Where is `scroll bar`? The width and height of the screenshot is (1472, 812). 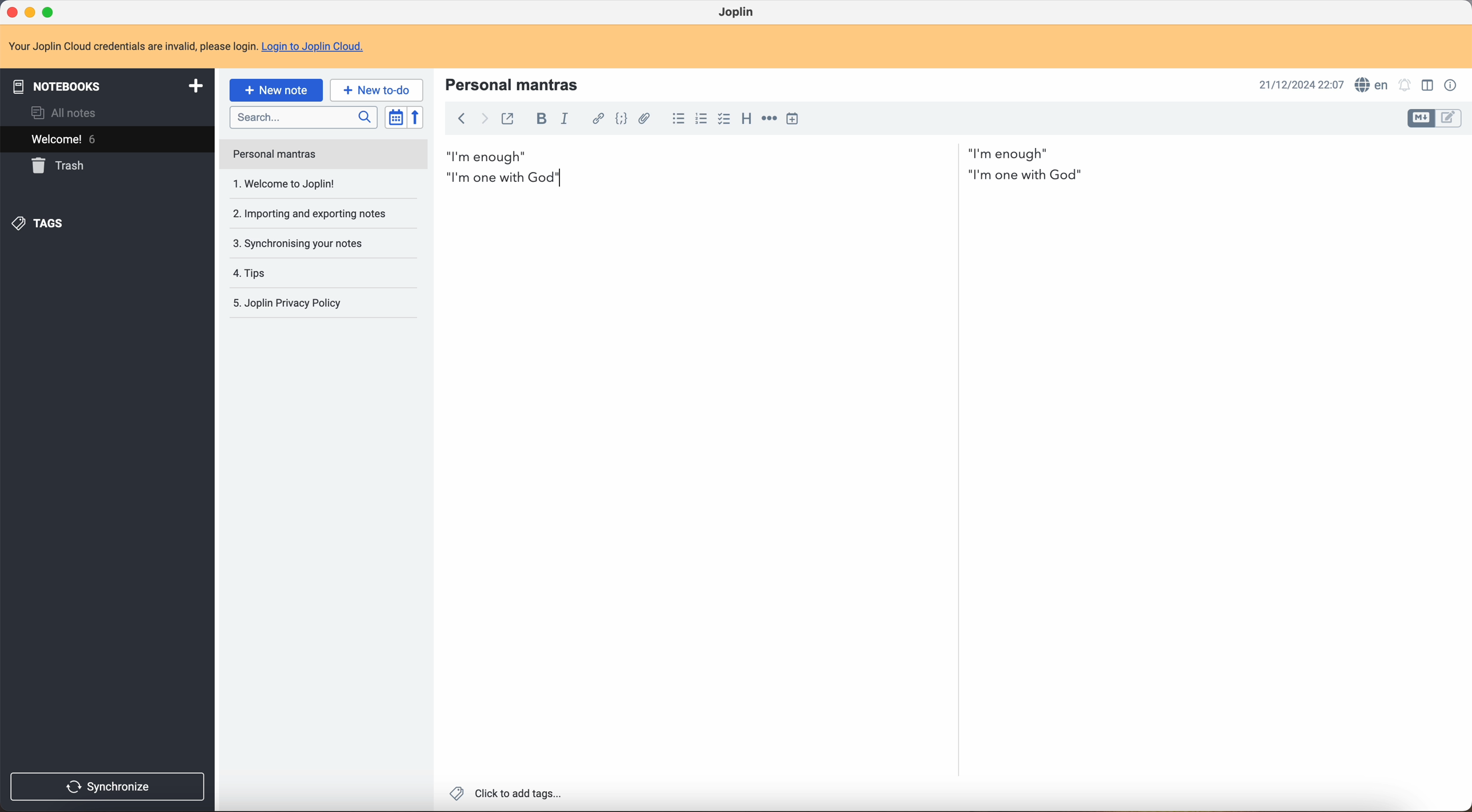 scroll bar is located at coordinates (956, 373).